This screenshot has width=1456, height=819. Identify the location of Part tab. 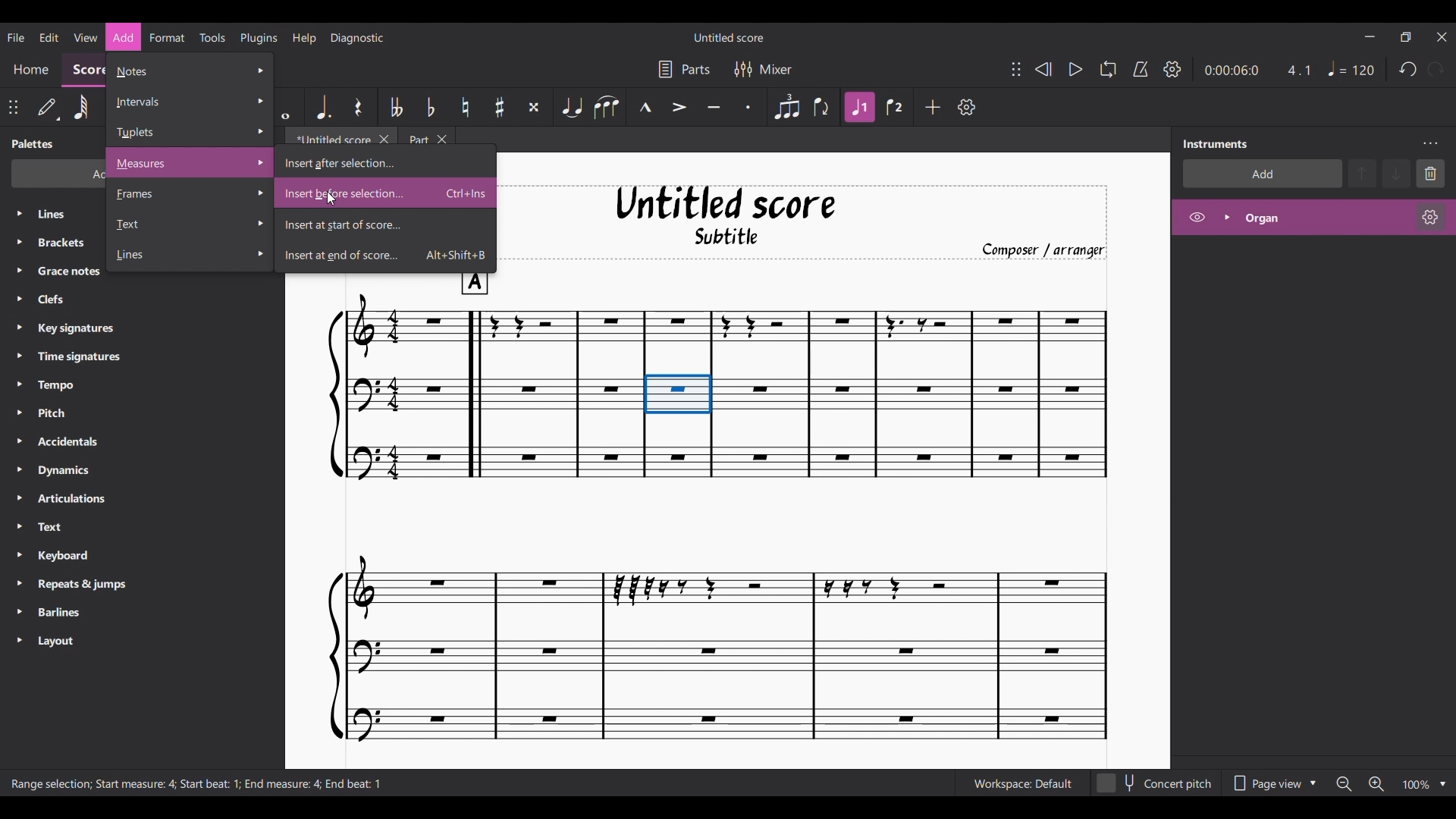
(417, 140).